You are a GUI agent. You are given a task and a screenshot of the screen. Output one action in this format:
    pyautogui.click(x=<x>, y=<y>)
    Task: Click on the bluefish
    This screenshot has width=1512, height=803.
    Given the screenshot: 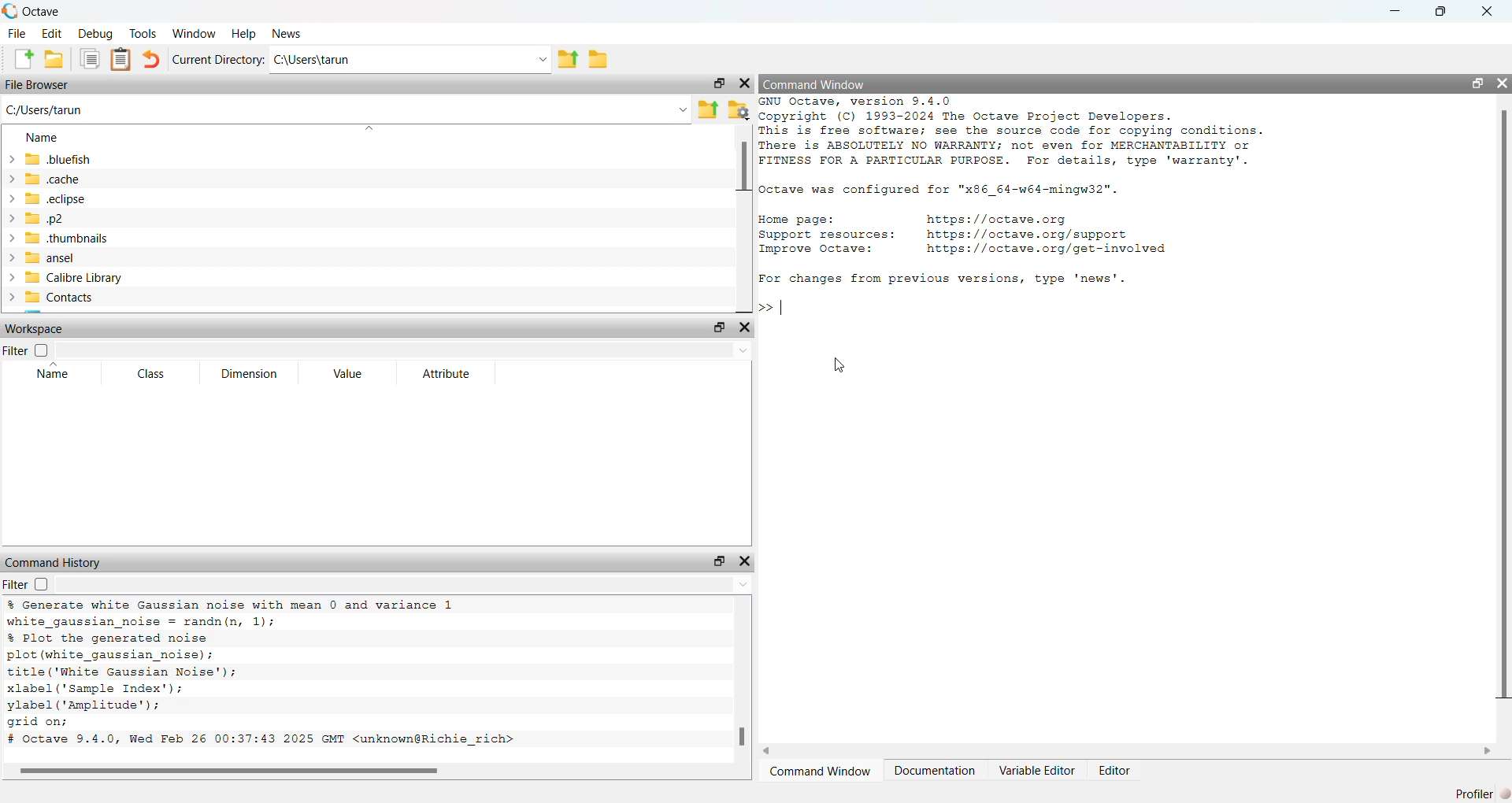 What is the action you would take?
    pyautogui.click(x=50, y=158)
    